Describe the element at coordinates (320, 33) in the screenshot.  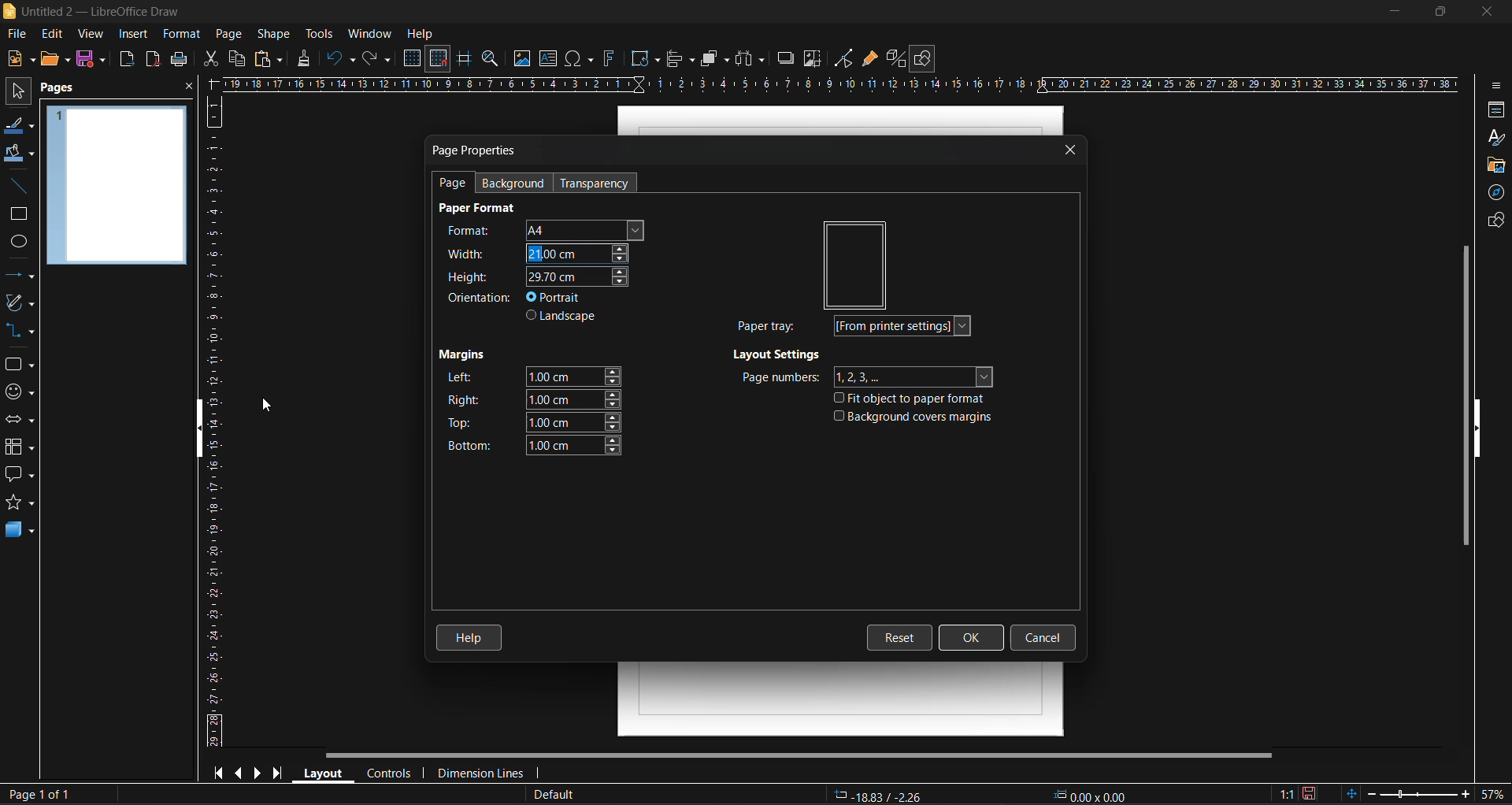
I see `tools` at that location.